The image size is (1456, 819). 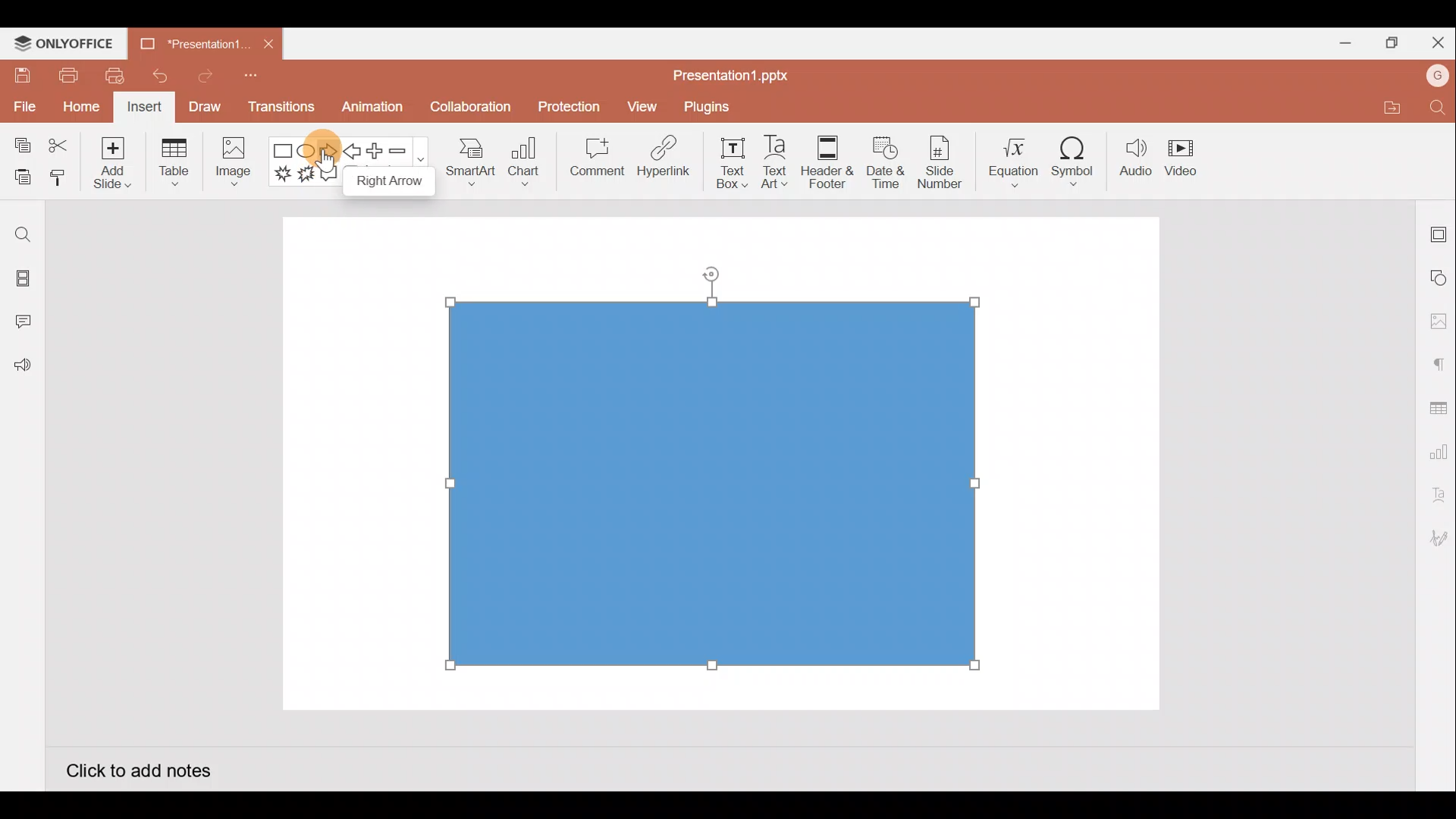 What do you see at coordinates (190, 41) in the screenshot?
I see `Presentation1.` at bounding box center [190, 41].